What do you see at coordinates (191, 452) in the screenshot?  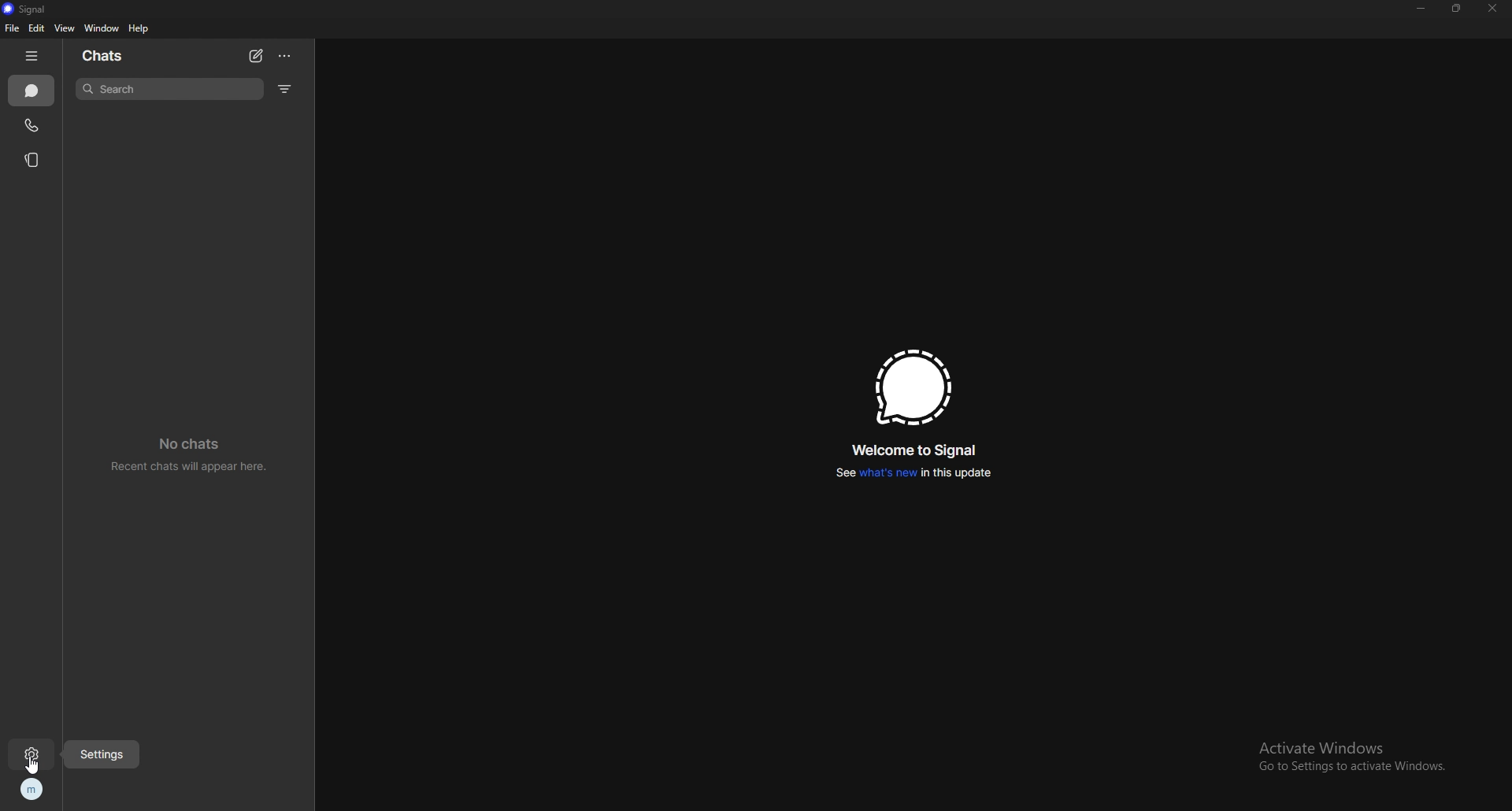 I see `recent chats will appear here` at bounding box center [191, 452].